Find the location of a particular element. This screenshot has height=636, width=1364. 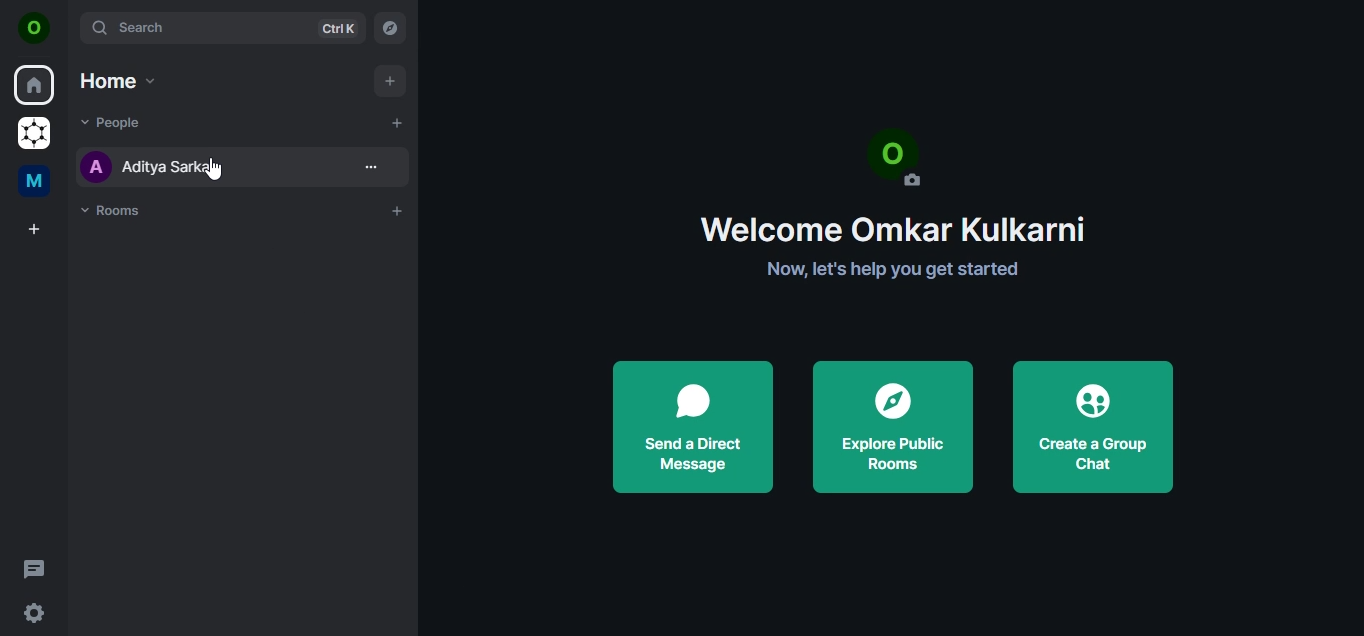

start chat is located at coordinates (398, 123).